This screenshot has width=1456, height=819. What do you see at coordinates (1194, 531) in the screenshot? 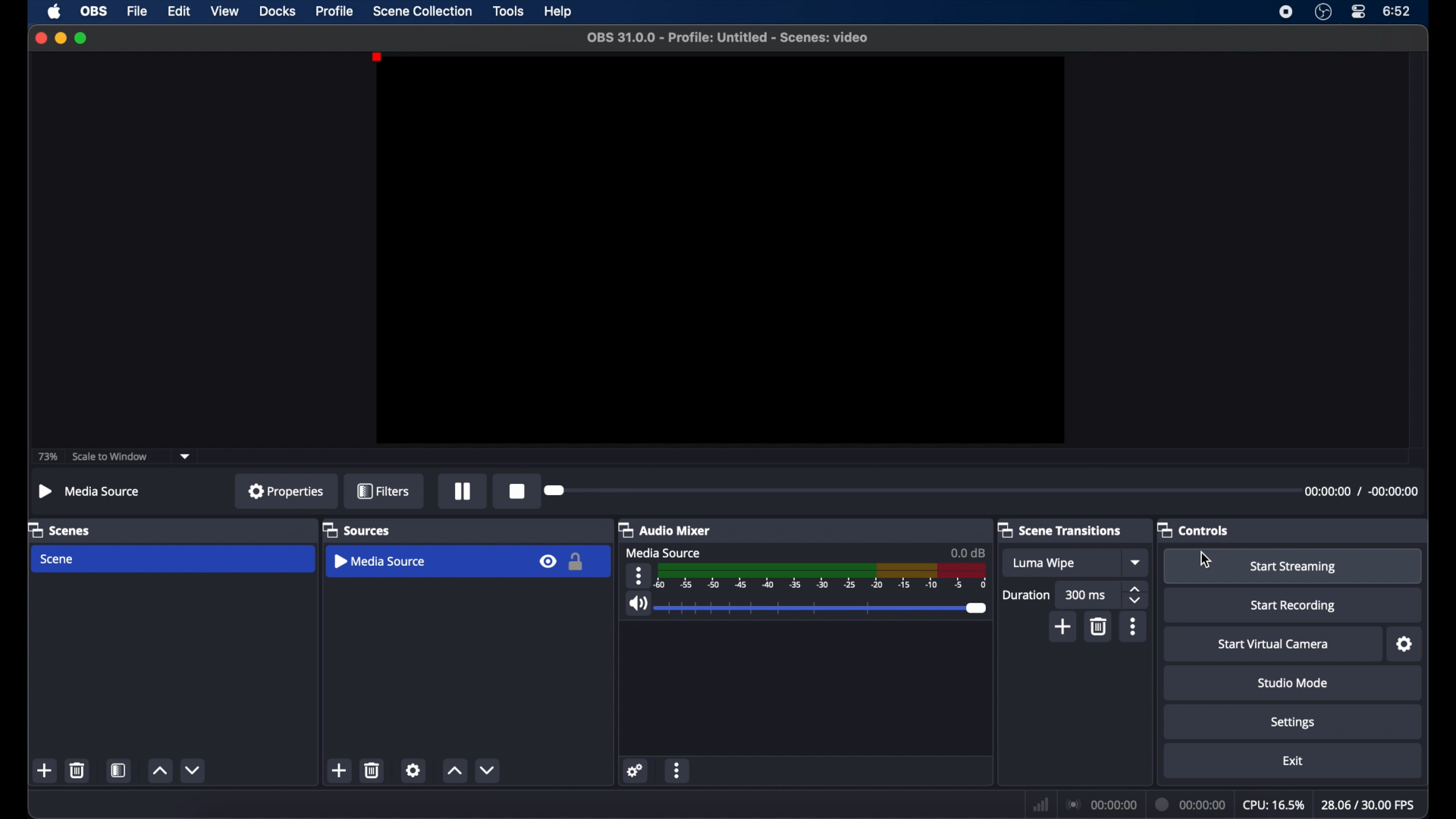
I see `controls` at bounding box center [1194, 531].